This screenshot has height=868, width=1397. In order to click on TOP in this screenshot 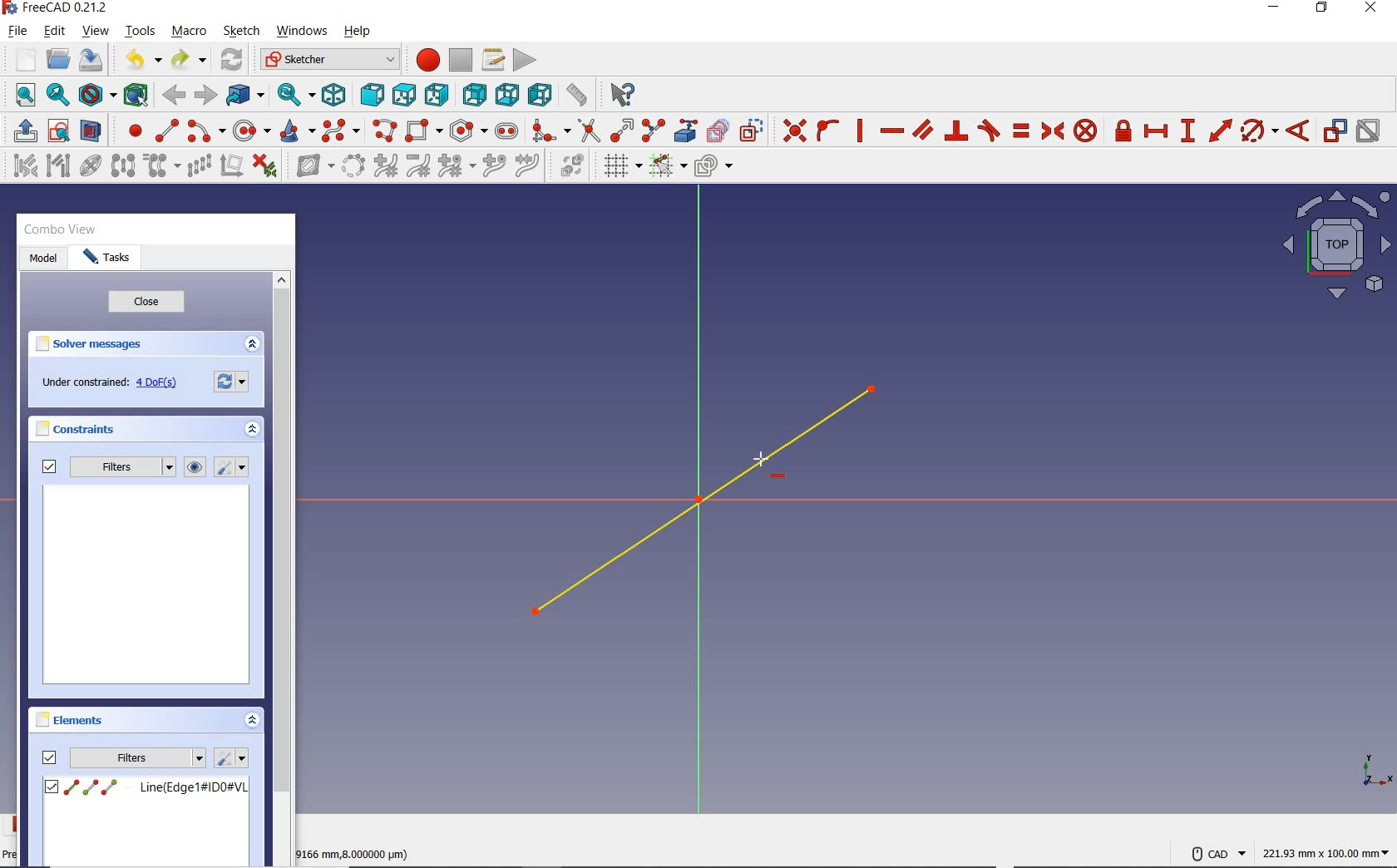, I will do `click(404, 91)`.